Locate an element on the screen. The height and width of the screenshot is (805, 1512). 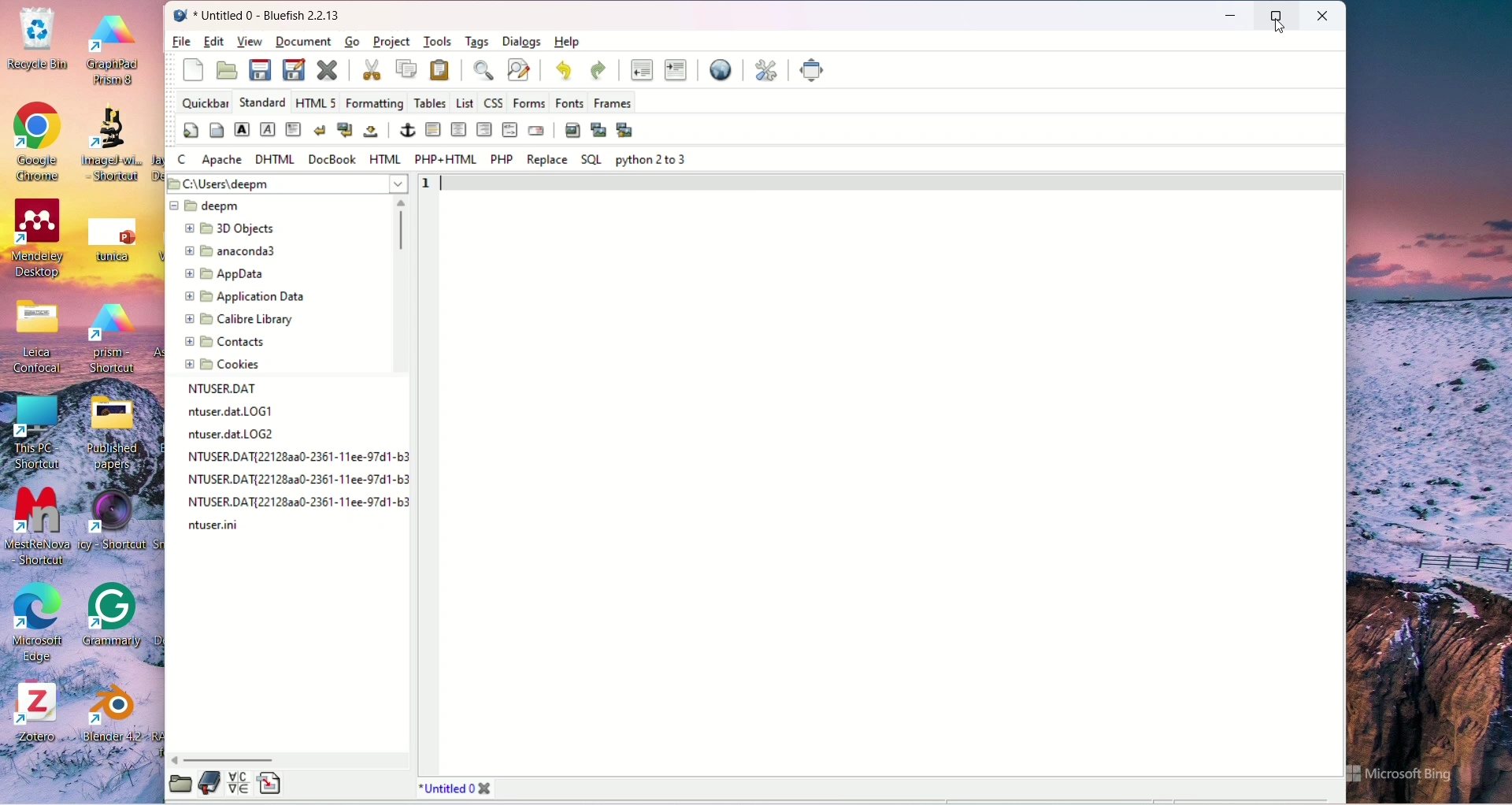
untitled is located at coordinates (456, 788).